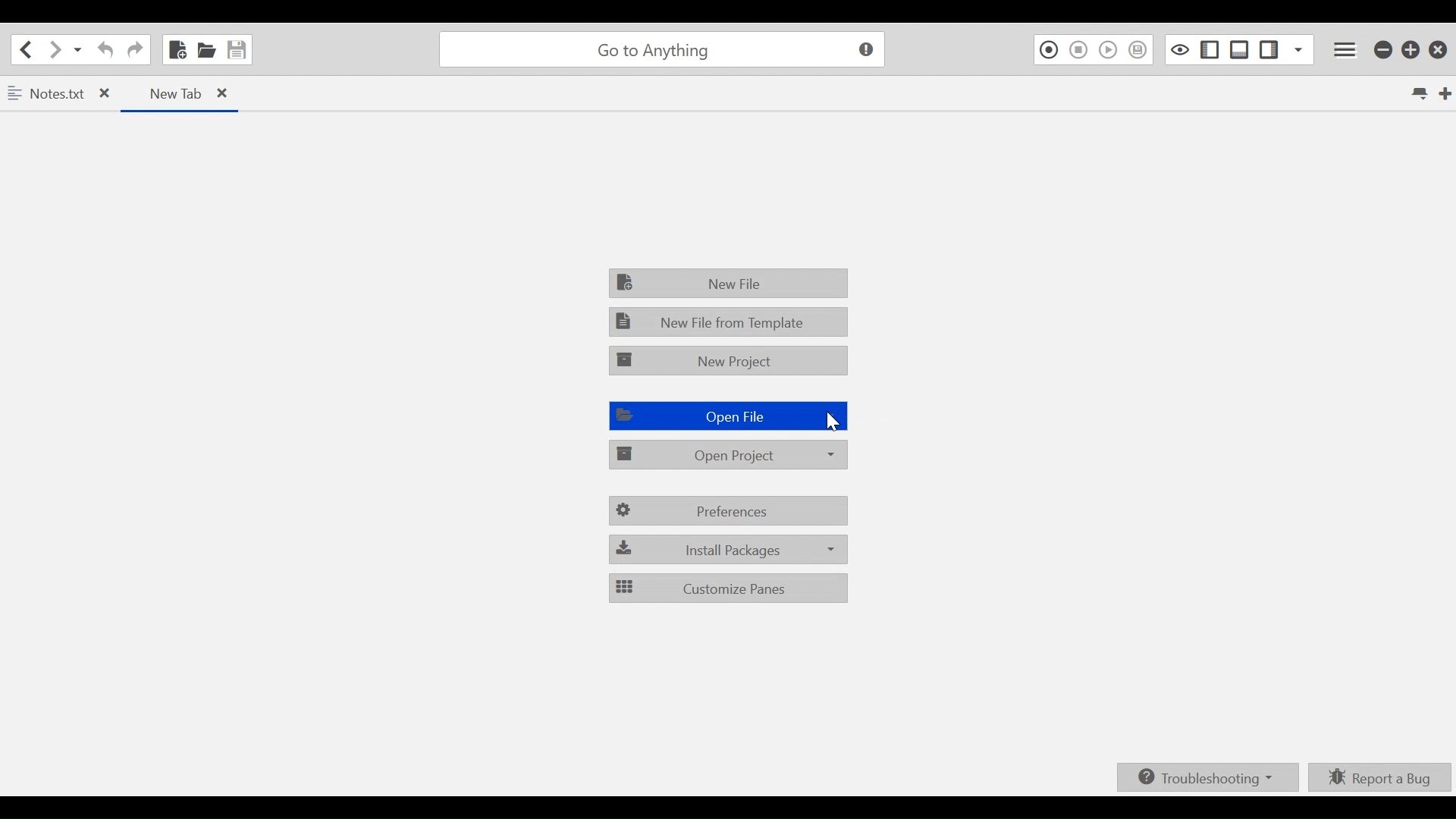 This screenshot has width=1456, height=819. I want to click on Open File, so click(726, 416).